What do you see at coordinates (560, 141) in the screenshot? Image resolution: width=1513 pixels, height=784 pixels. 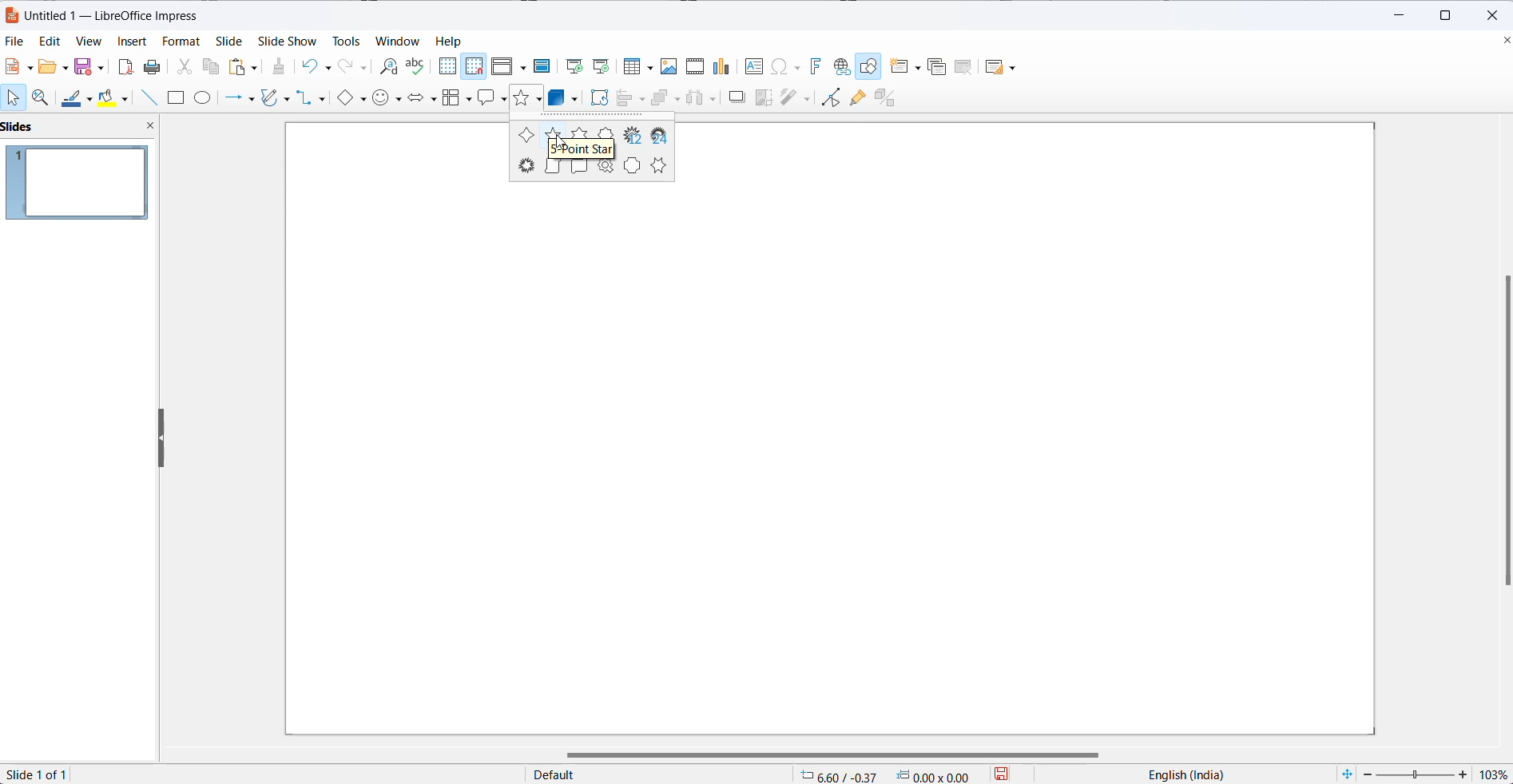 I see `cursor` at bounding box center [560, 141].